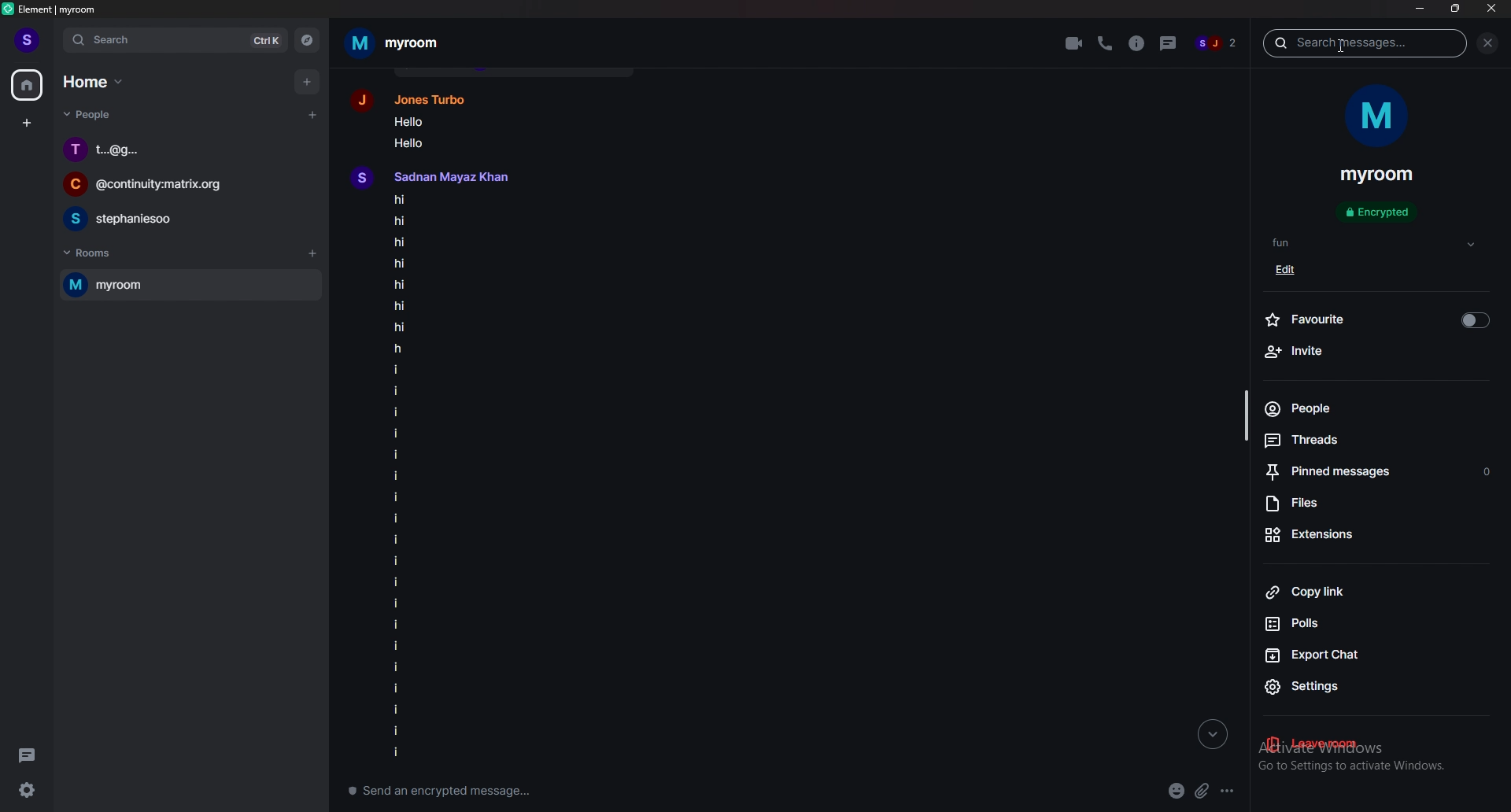  I want to click on search, so click(177, 39).